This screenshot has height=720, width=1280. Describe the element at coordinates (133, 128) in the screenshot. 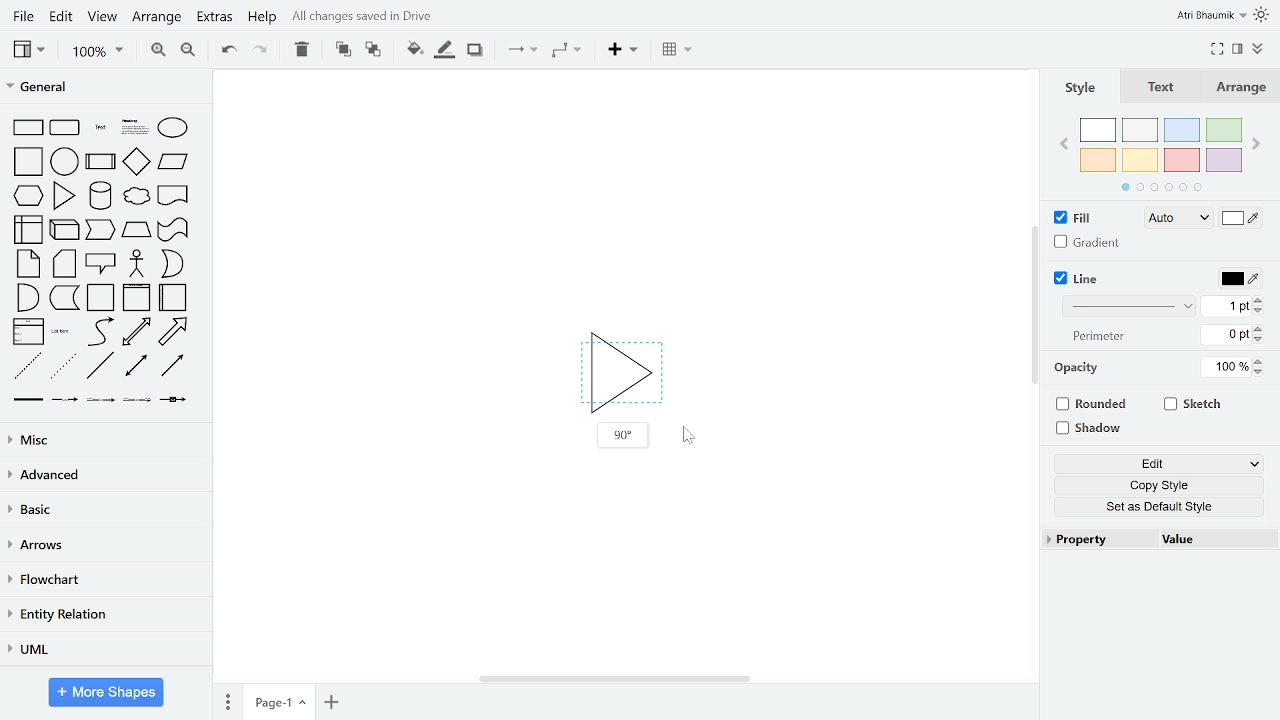

I see `heading` at that location.